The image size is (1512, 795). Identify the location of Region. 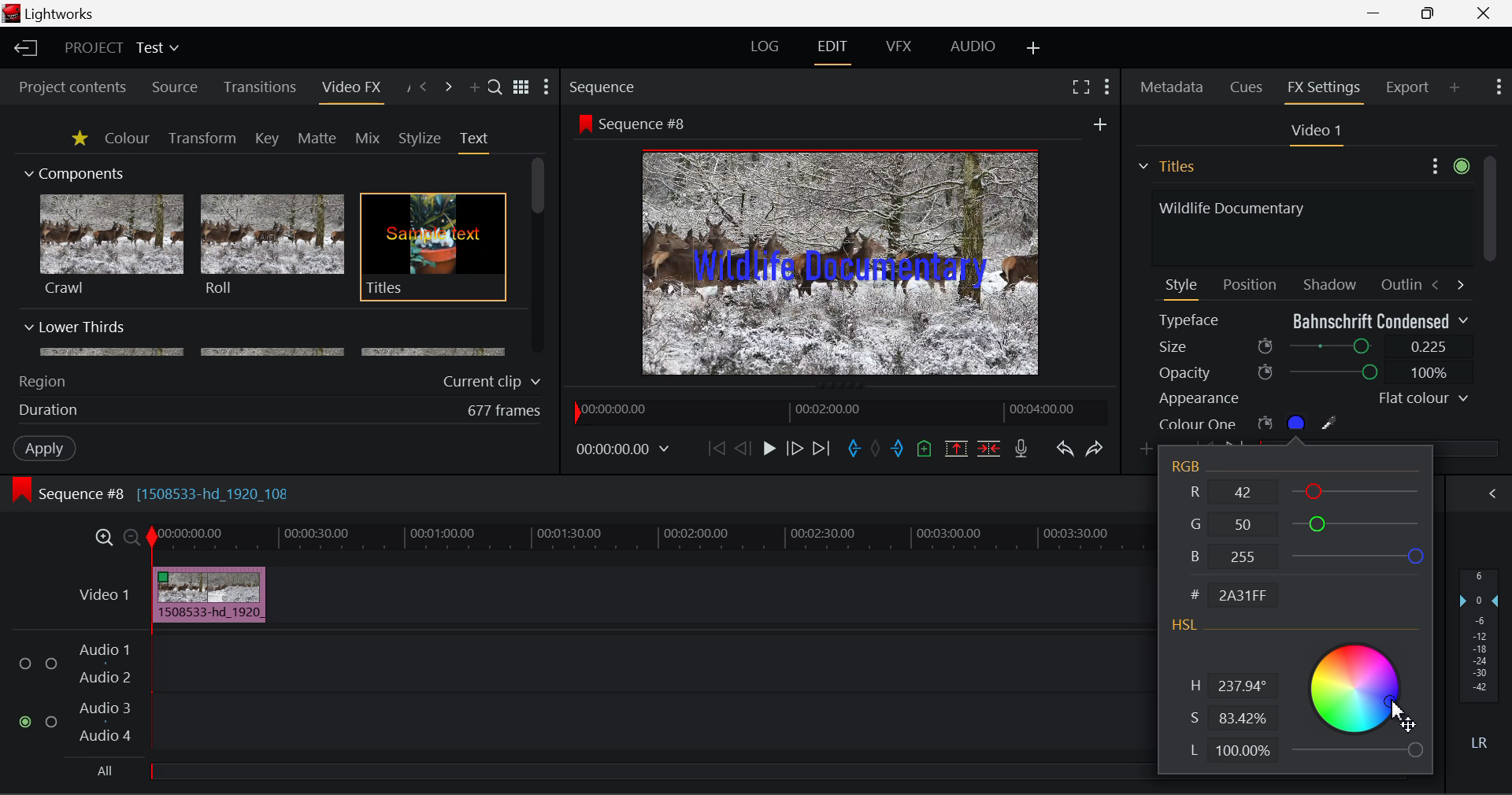
(42, 382).